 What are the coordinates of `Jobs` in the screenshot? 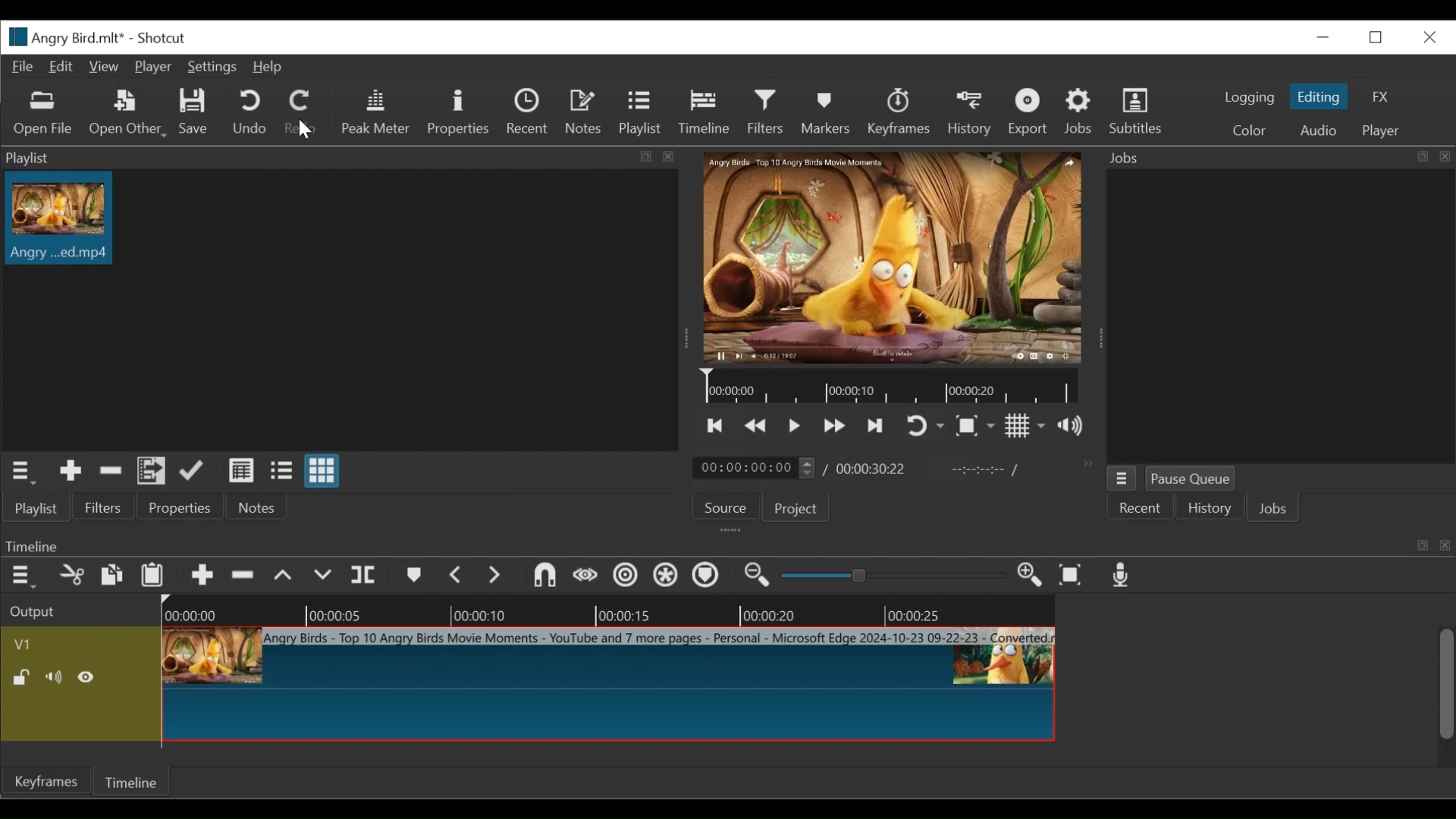 It's located at (1081, 111).